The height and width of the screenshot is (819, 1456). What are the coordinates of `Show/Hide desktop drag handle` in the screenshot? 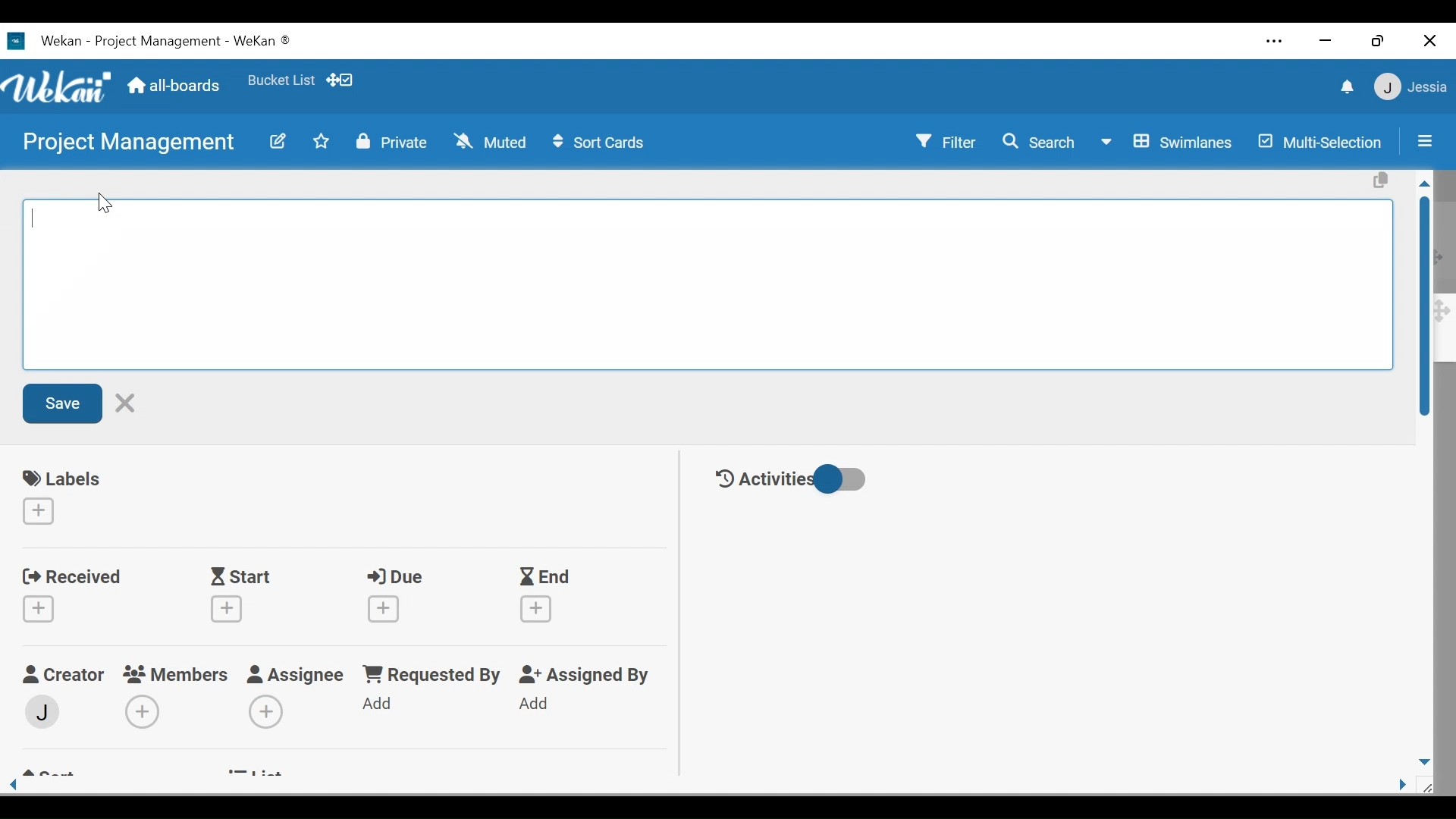 It's located at (339, 80).